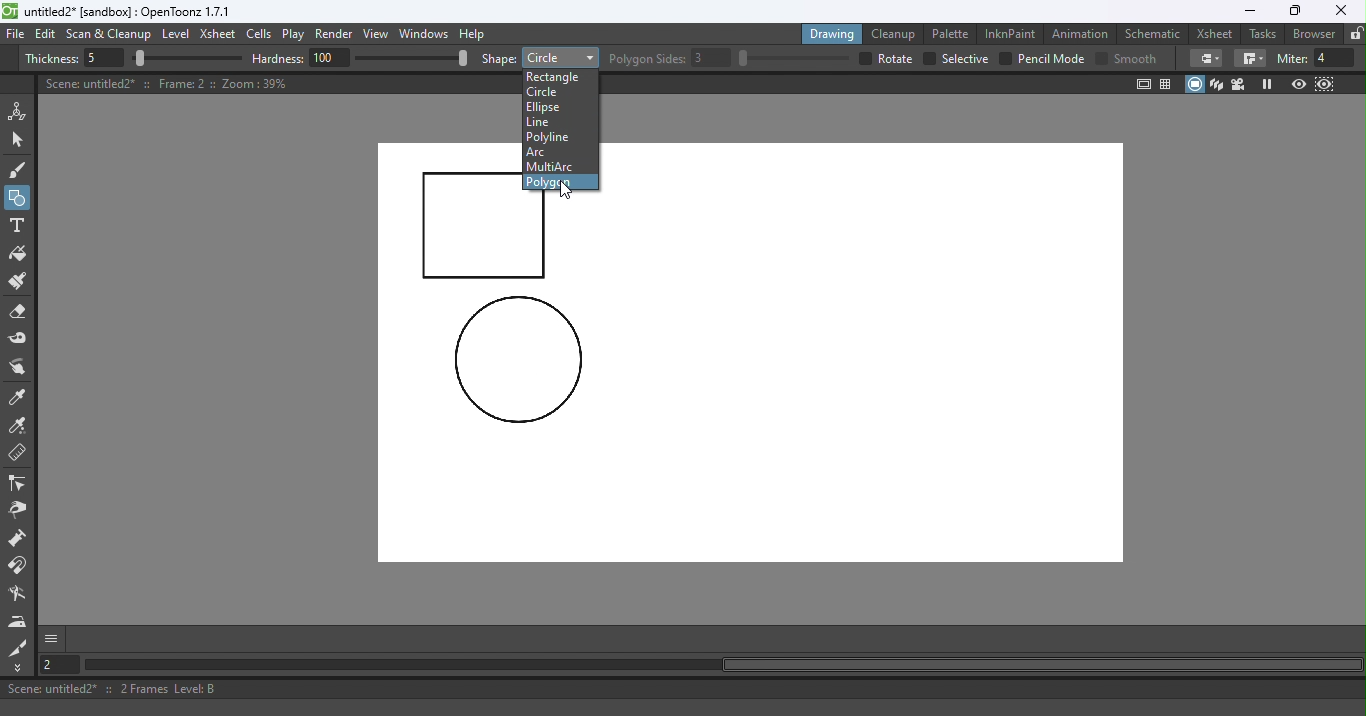  Describe the element at coordinates (21, 595) in the screenshot. I see `Blender tool` at that location.